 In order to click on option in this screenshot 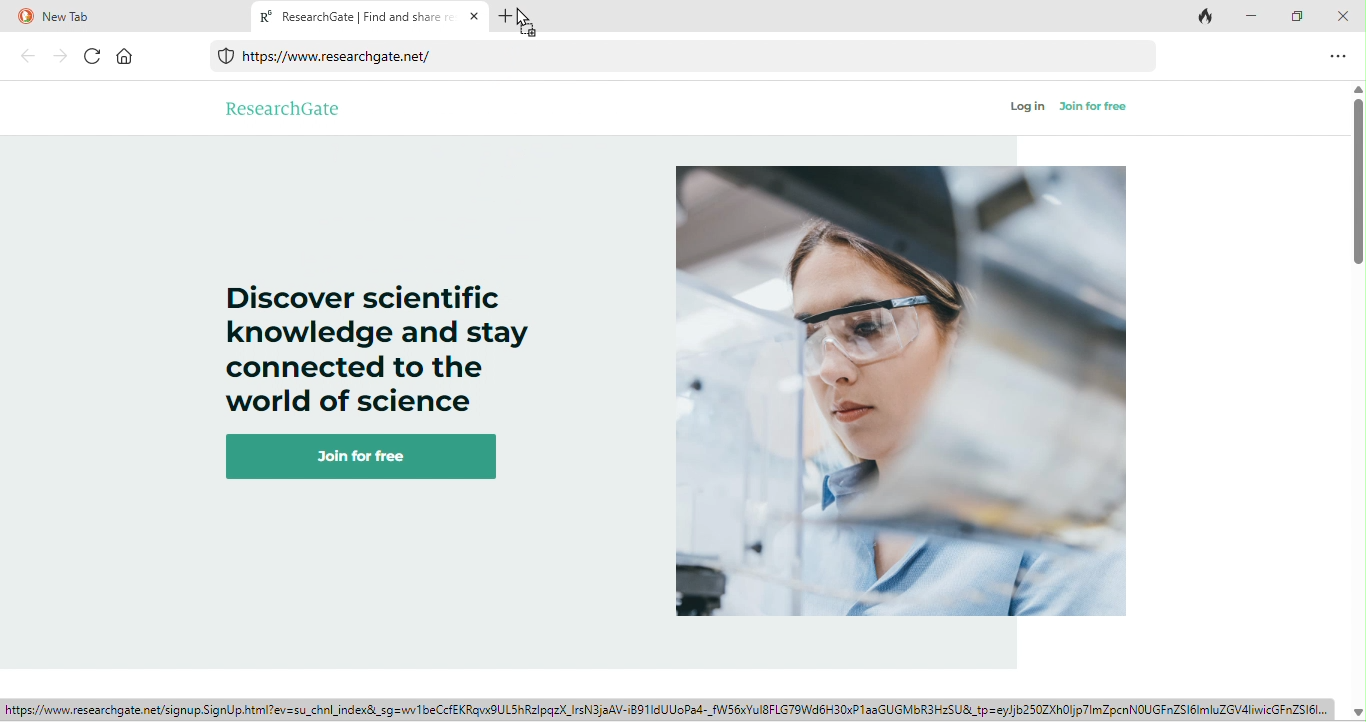, I will do `click(1337, 58)`.